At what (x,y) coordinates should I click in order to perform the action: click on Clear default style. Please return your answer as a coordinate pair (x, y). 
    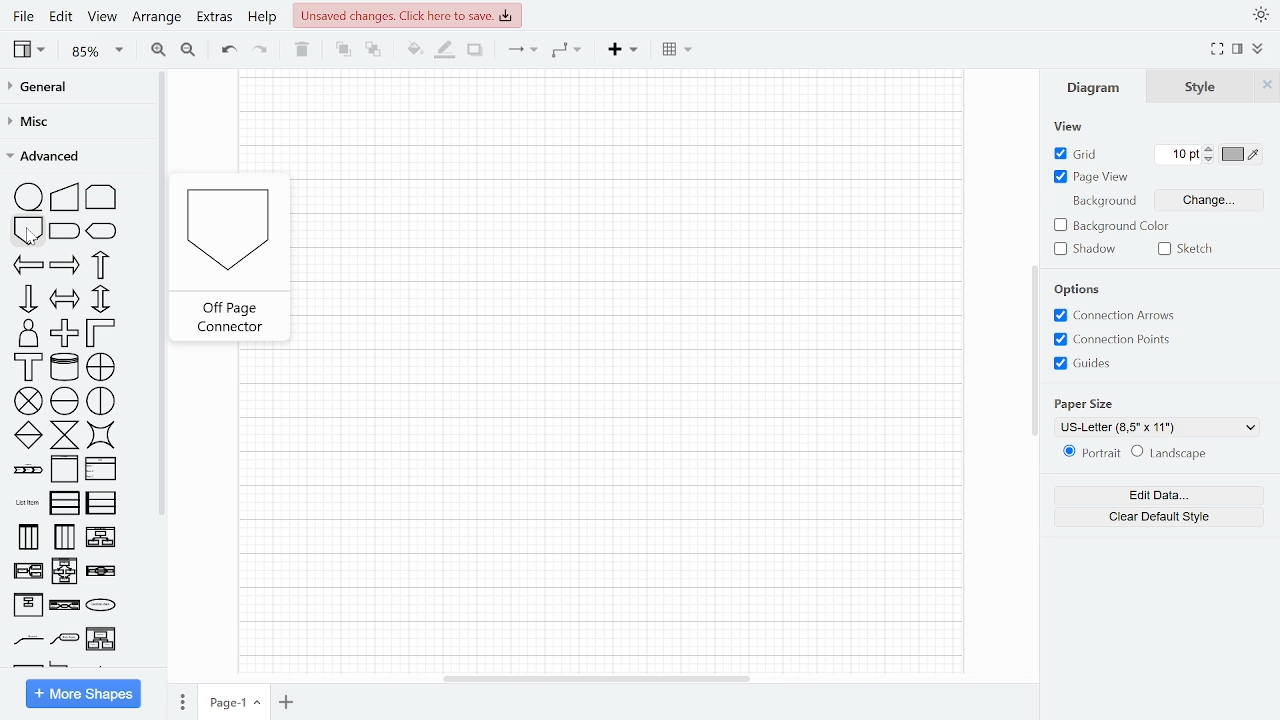
    Looking at the image, I should click on (1163, 517).